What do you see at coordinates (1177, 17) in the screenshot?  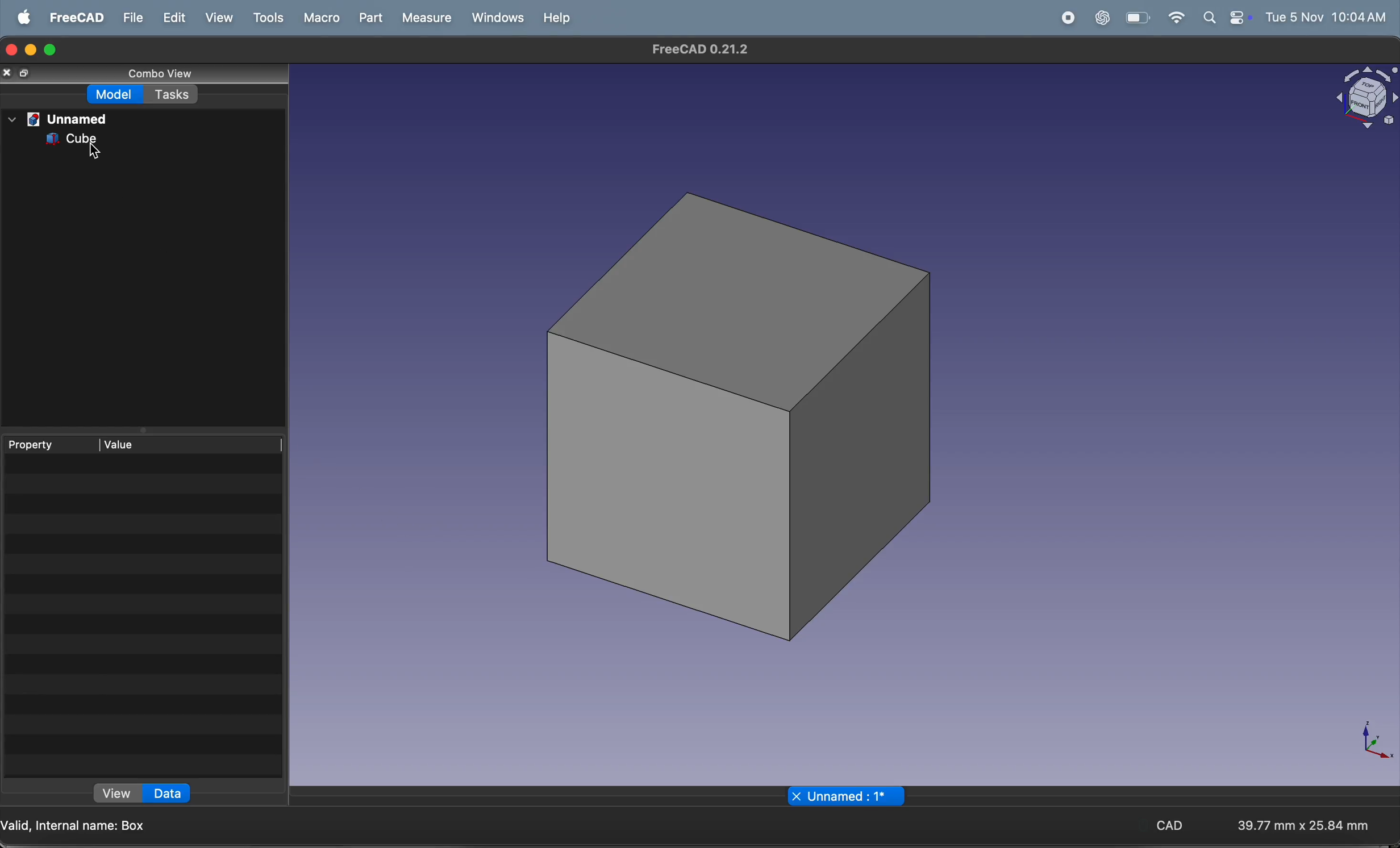 I see `wifi` at bounding box center [1177, 17].